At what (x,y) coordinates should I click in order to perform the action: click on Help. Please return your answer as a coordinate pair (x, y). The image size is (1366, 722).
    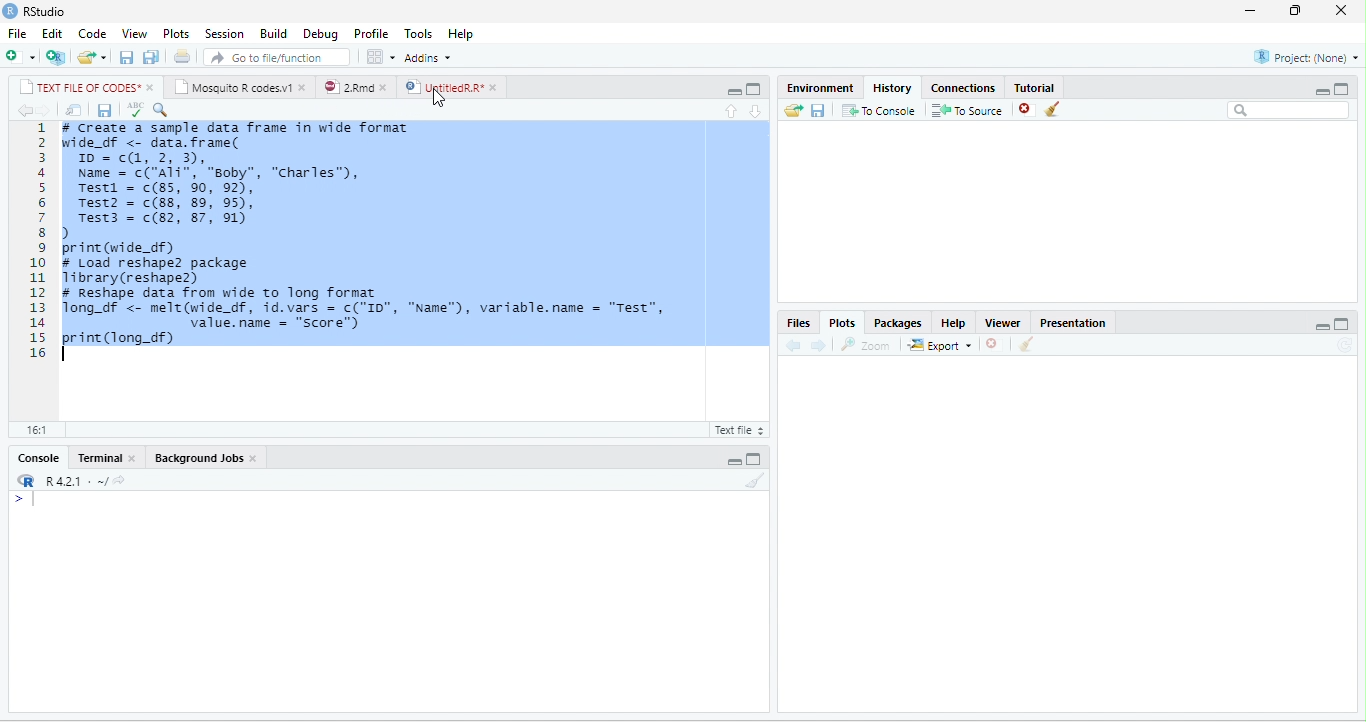
    Looking at the image, I should click on (460, 34).